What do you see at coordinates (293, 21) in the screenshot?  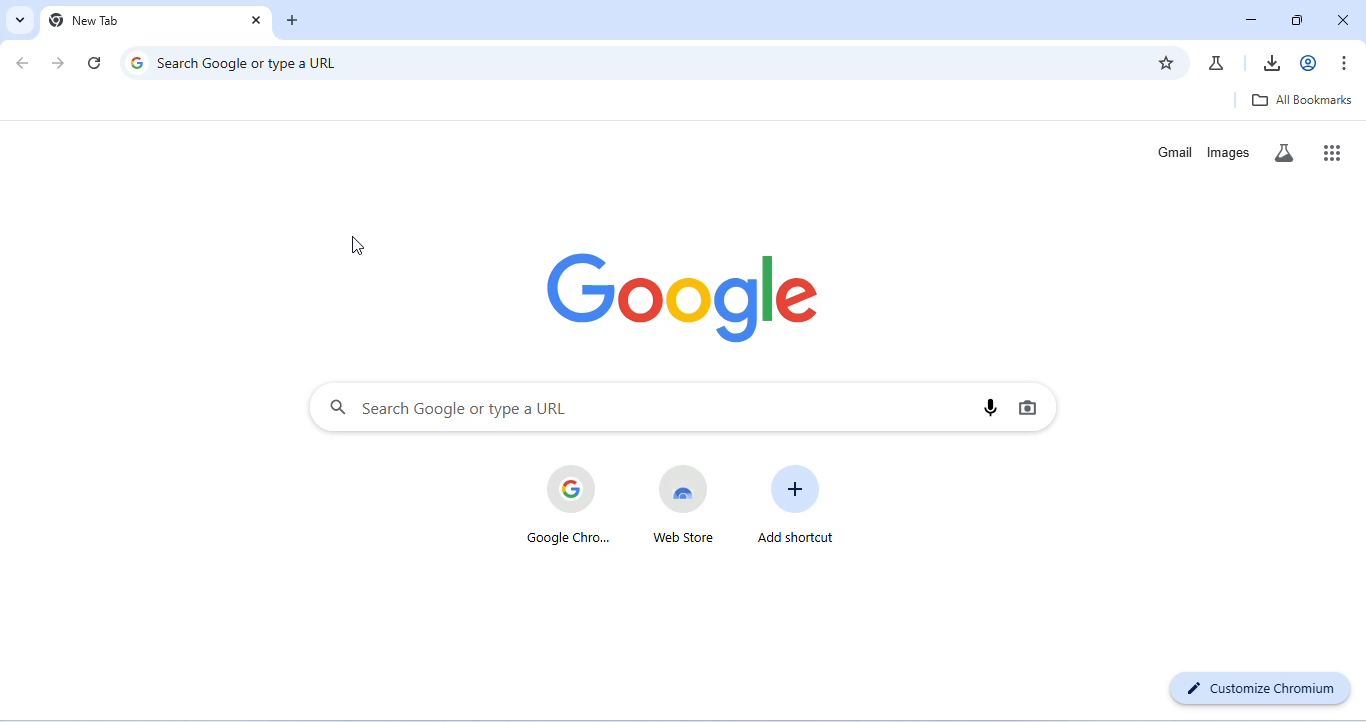 I see `close tab` at bounding box center [293, 21].